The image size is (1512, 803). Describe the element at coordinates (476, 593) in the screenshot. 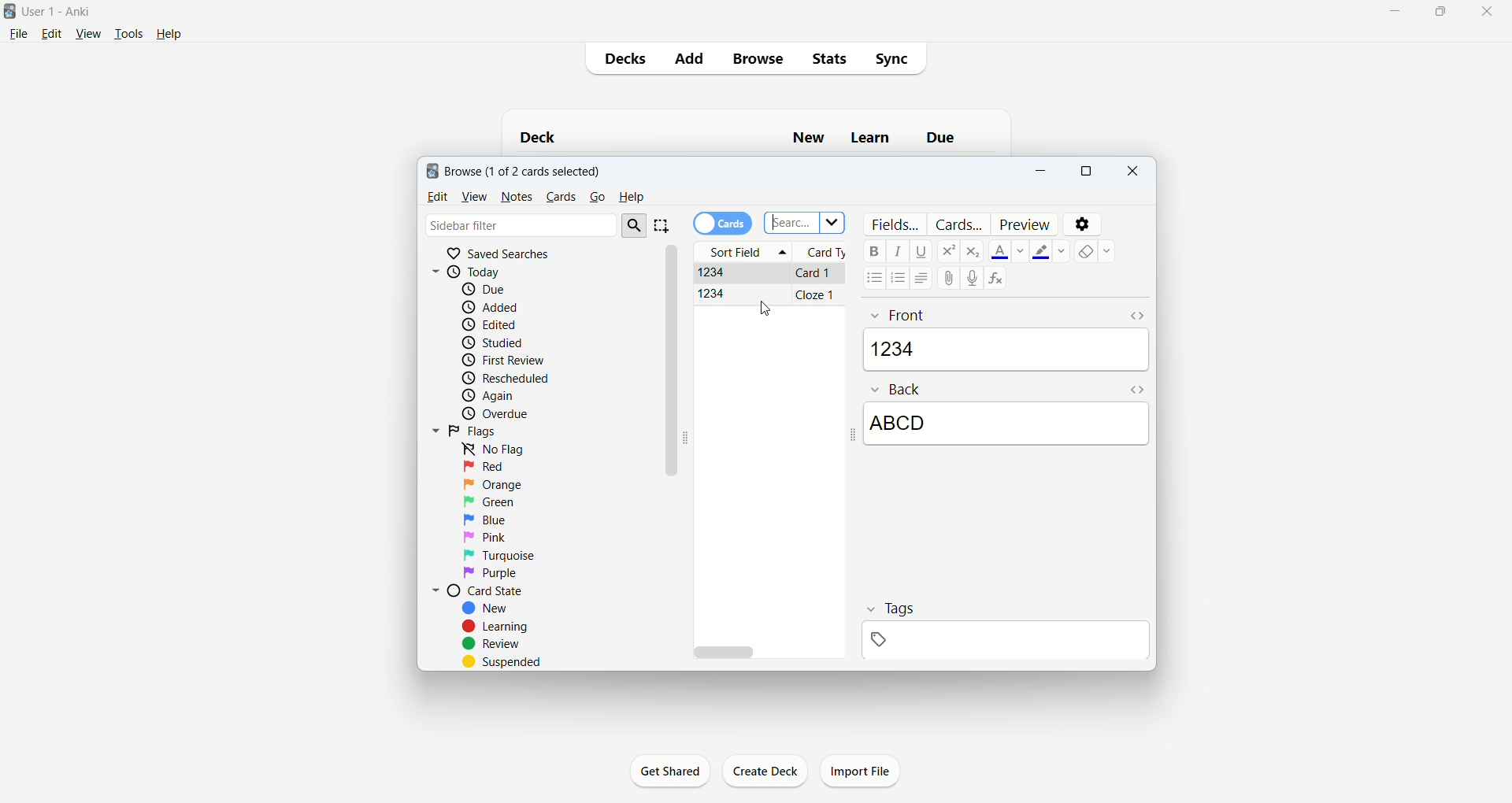

I see `card state` at that location.